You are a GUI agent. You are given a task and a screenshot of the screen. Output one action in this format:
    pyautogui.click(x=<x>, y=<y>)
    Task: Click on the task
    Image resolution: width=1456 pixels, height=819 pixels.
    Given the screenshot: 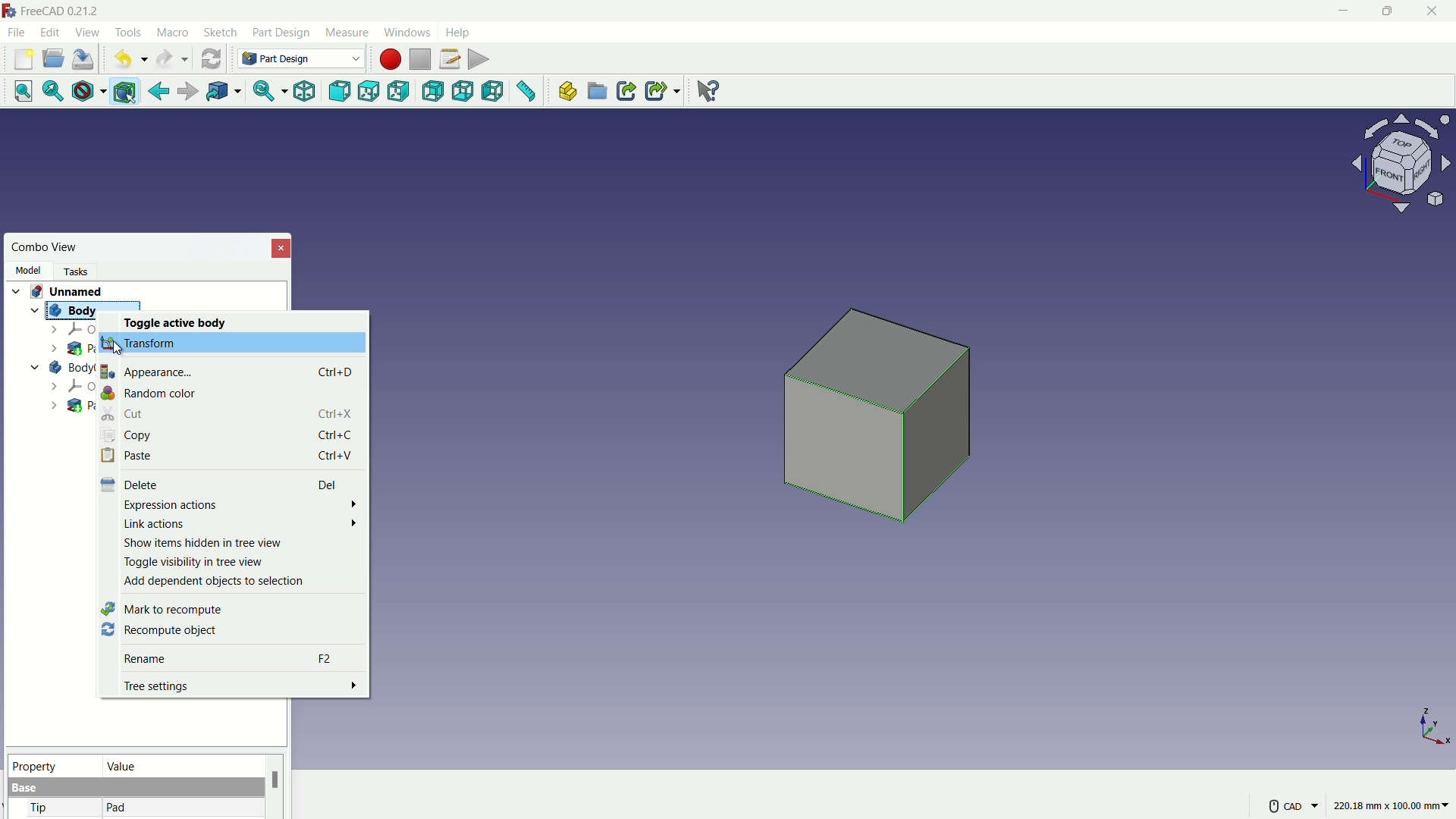 What is the action you would take?
    pyautogui.click(x=80, y=270)
    